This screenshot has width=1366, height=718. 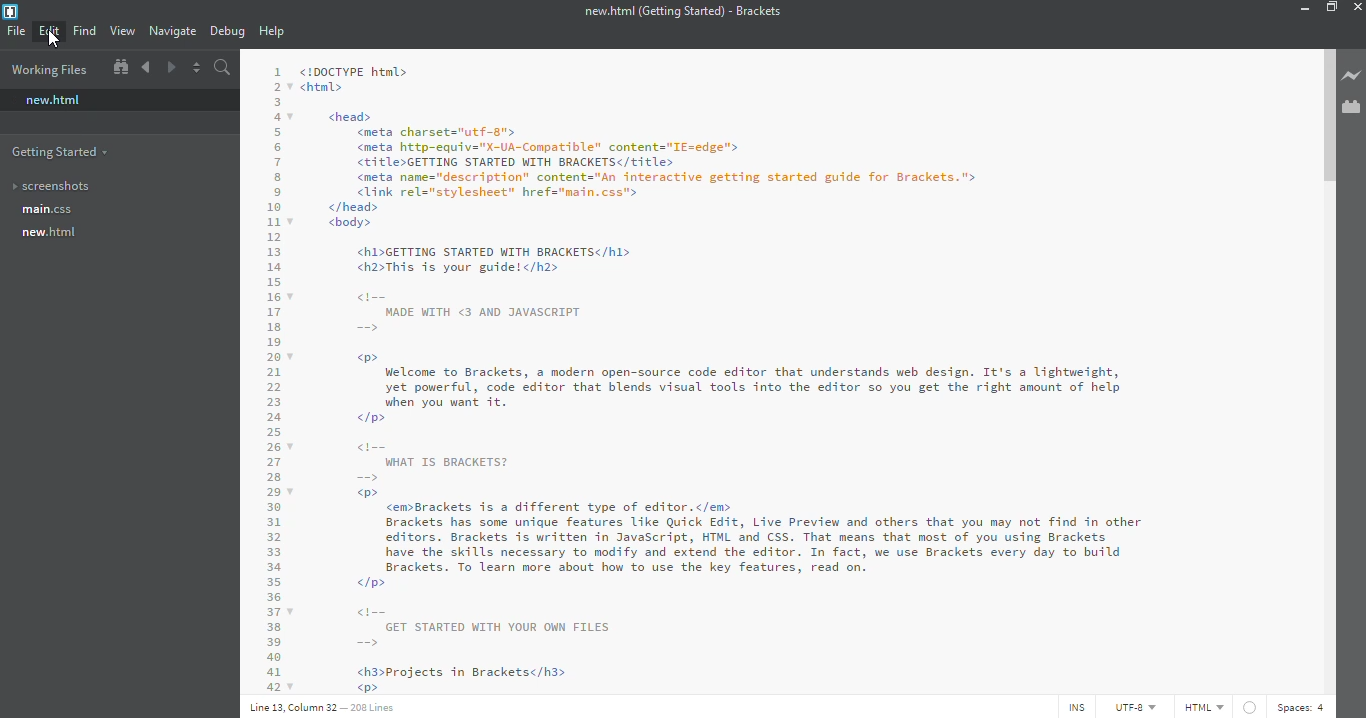 What do you see at coordinates (273, 32) in the screenshot?
I see `help` at bounding box center [273, 32].